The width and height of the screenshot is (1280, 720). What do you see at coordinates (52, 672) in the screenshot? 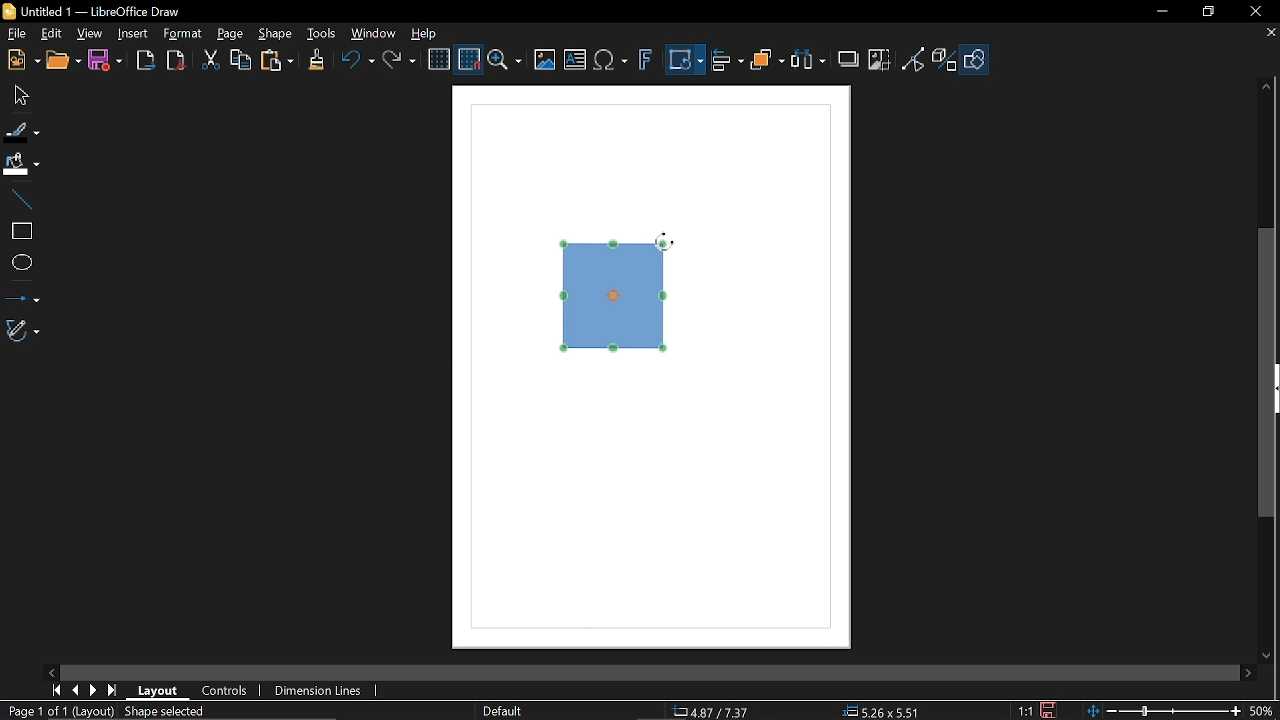
I see `Move left` at bounding box center [52, 672].